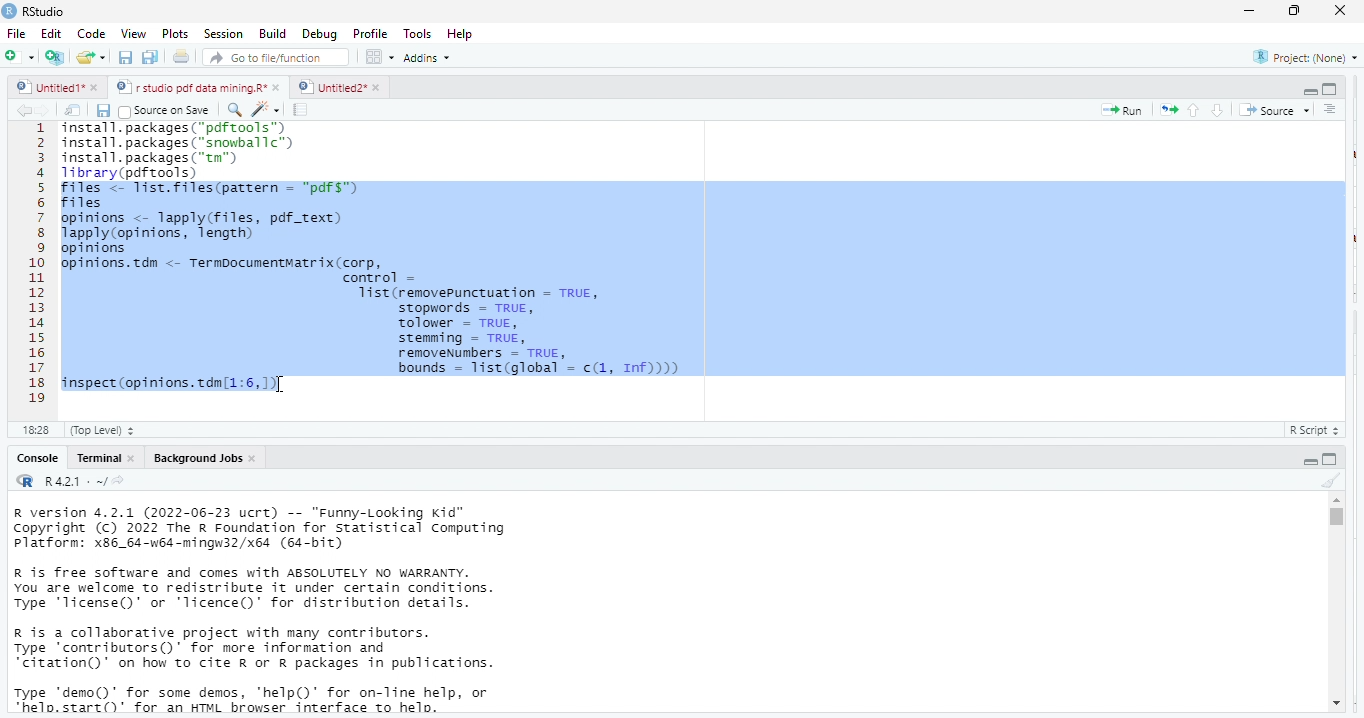 Image resolution: width=1364 pixels, height=718 pixels. What do you see at coordinates (273, 33) in the screenshot?
I see `build` at bounding box center [273, 33].